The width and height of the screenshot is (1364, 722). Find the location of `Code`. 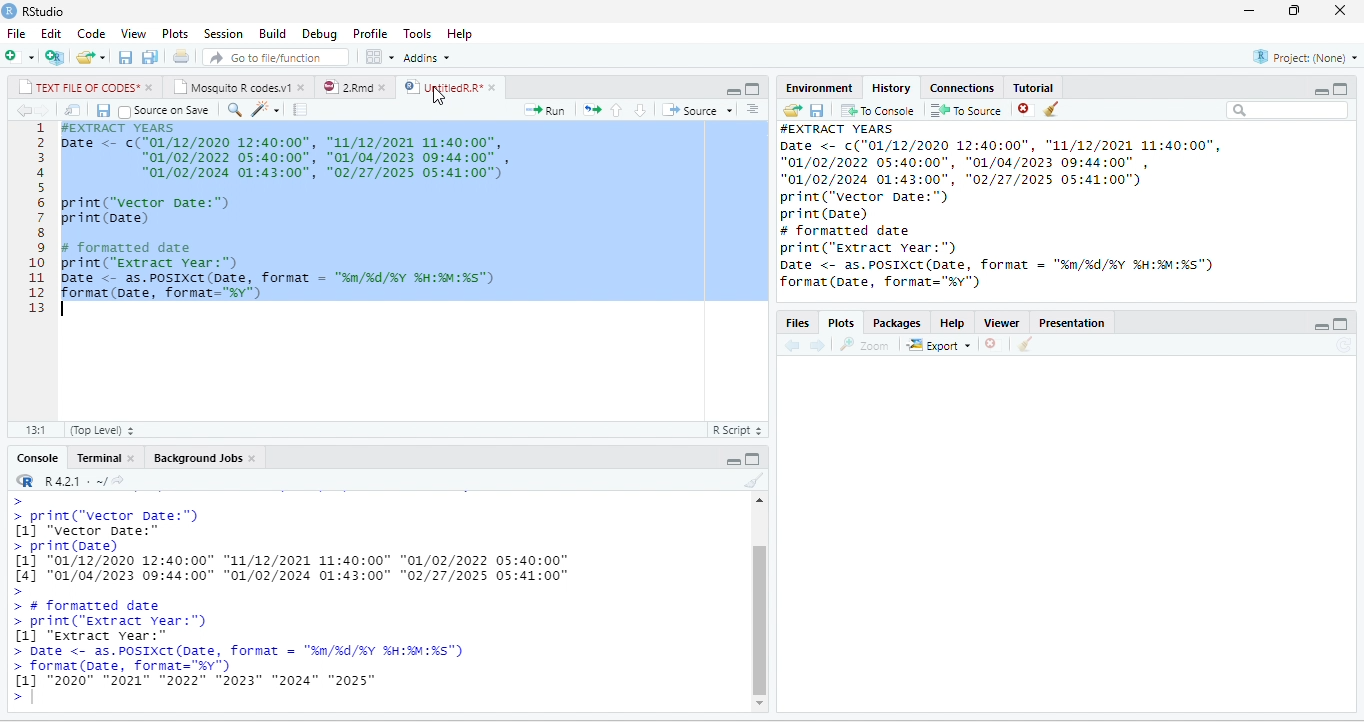

Code is located at coordinates (92, 34).